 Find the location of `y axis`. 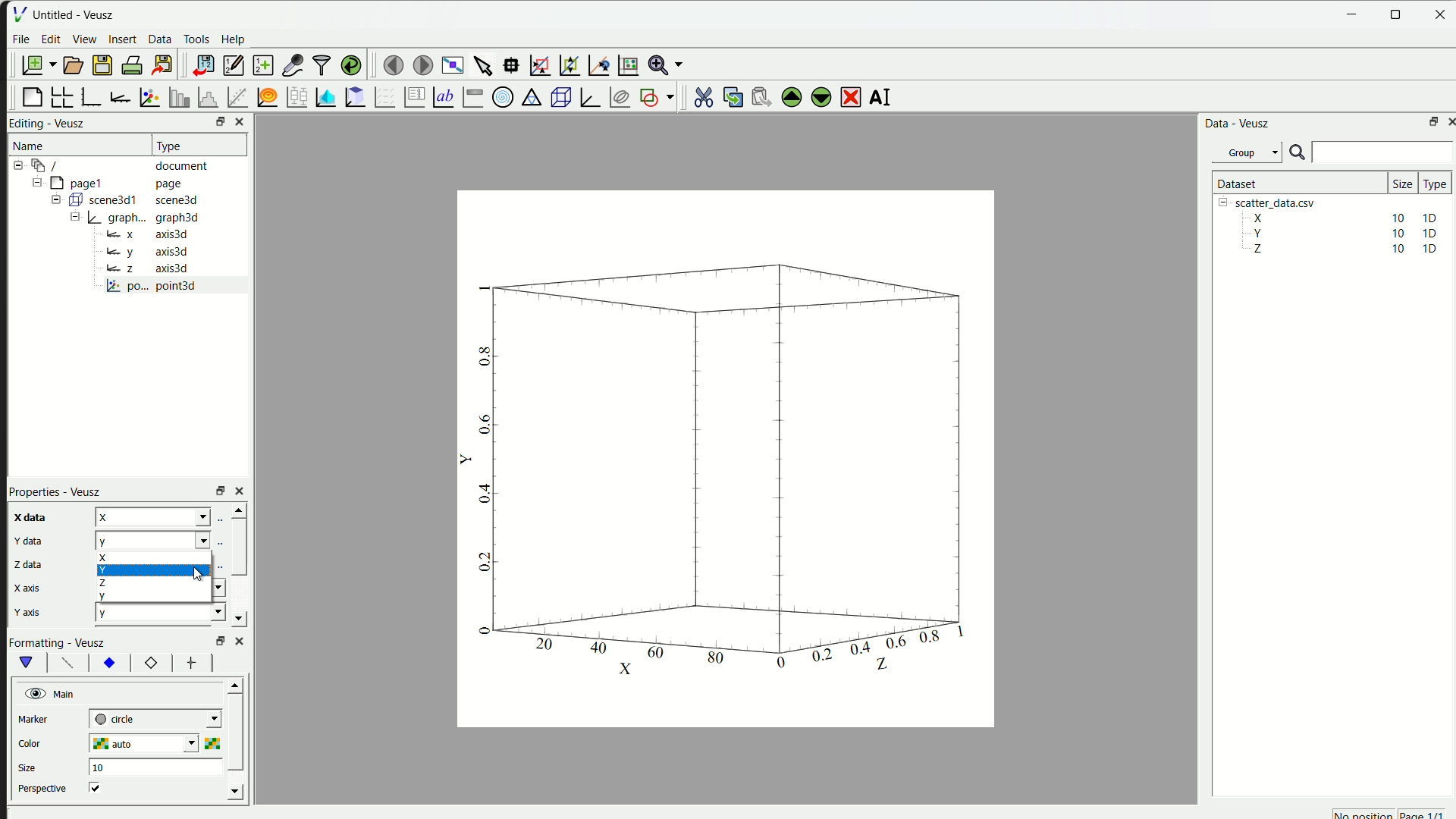

y axis is located at coordinates (27, 609).